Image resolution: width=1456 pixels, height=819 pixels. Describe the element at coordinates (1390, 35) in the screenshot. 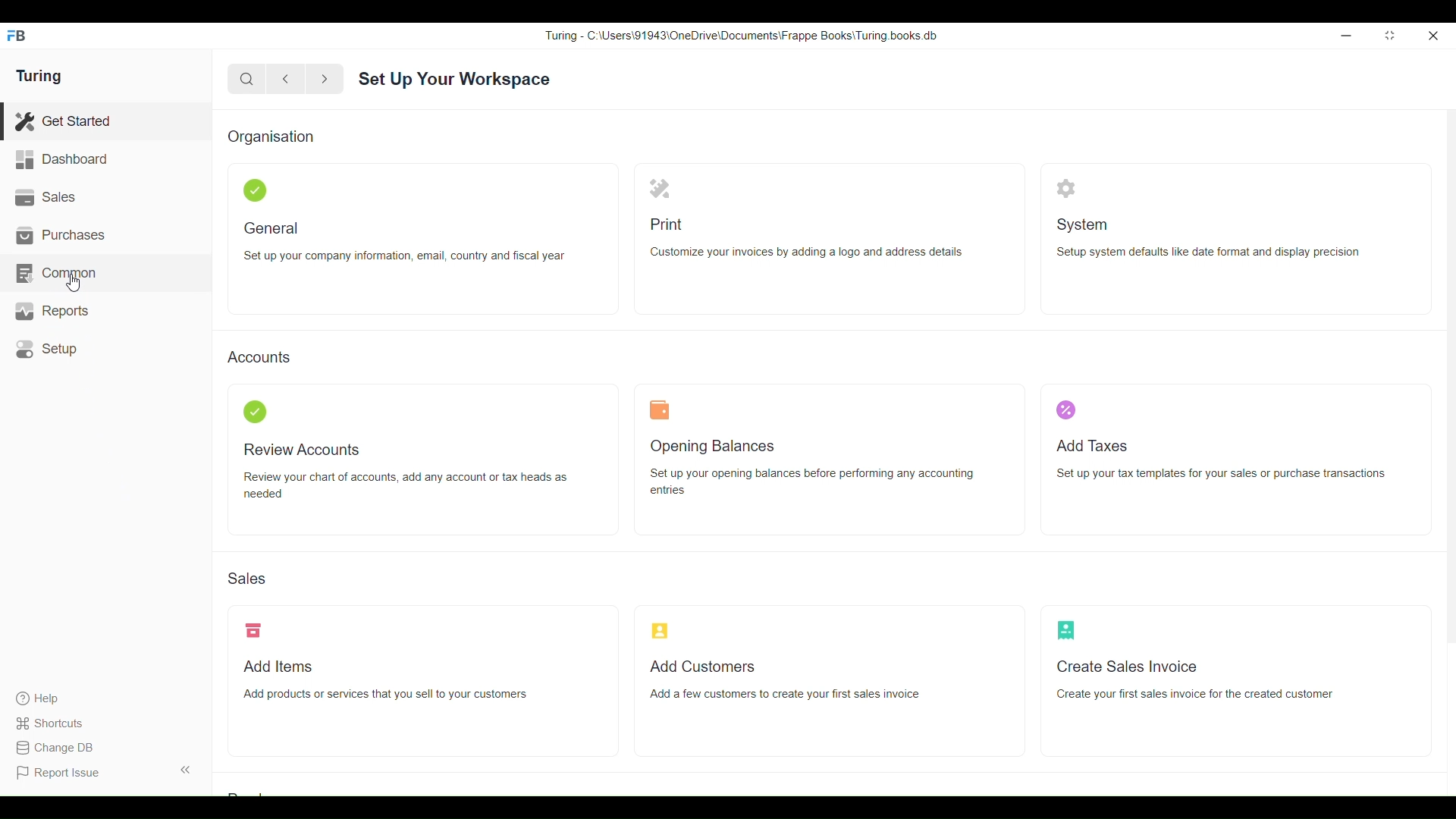

I see `Change dimension` at that location.